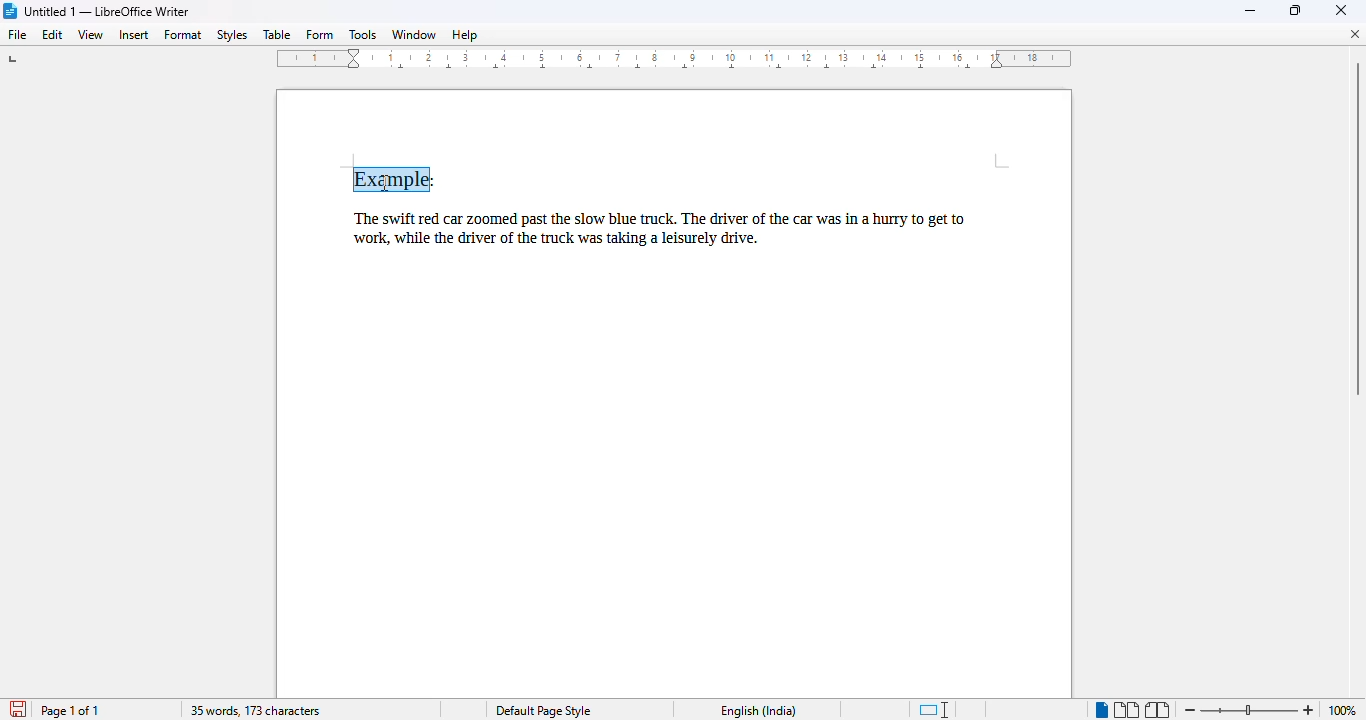 The image size is (1366, 720). What do you see at coordinates (465, 35) in the screenshot?
I see `help` at bounding box center [465, 35].